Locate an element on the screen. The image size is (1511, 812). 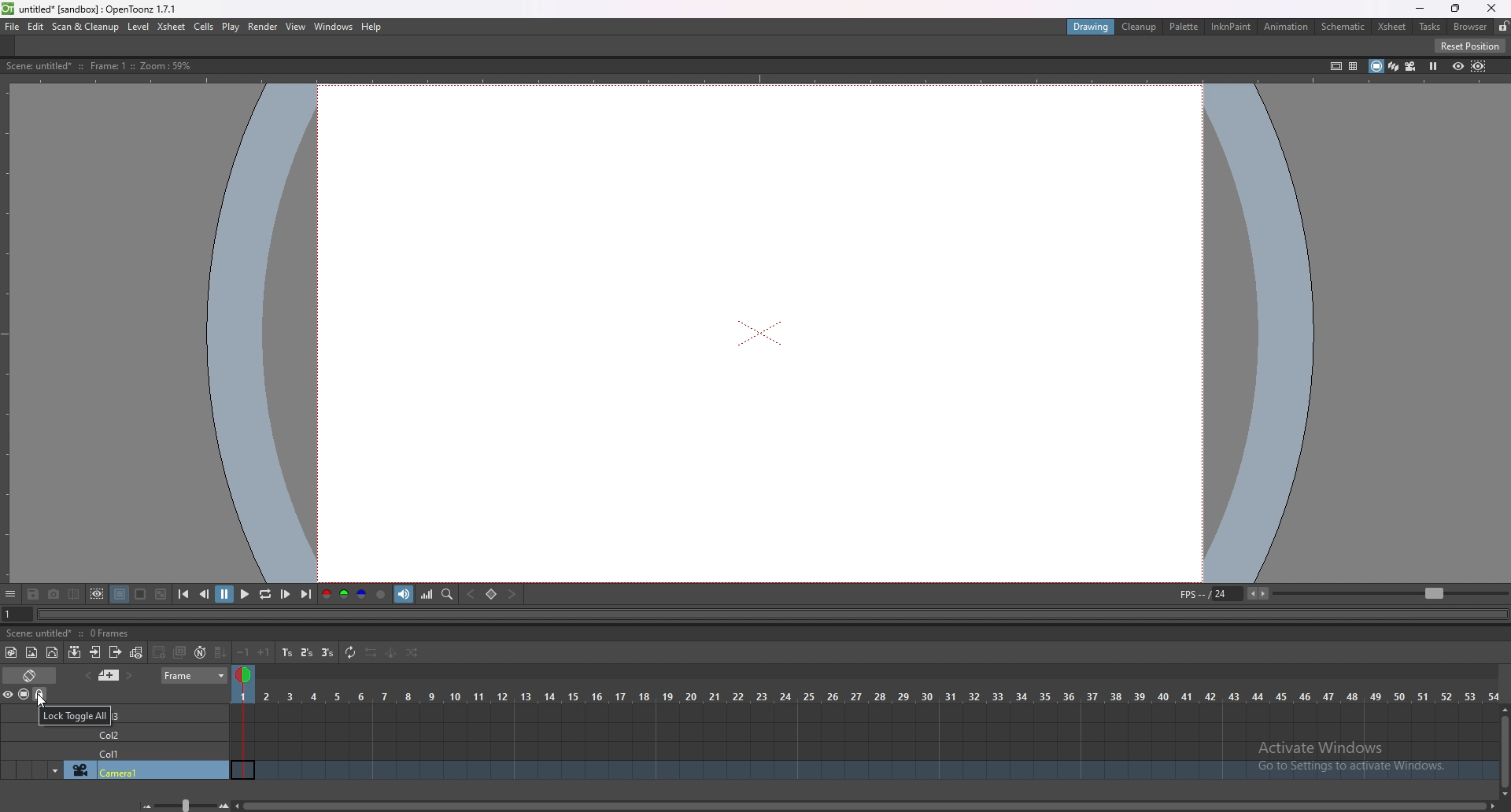
timeline is located at coordinates (861, 712).